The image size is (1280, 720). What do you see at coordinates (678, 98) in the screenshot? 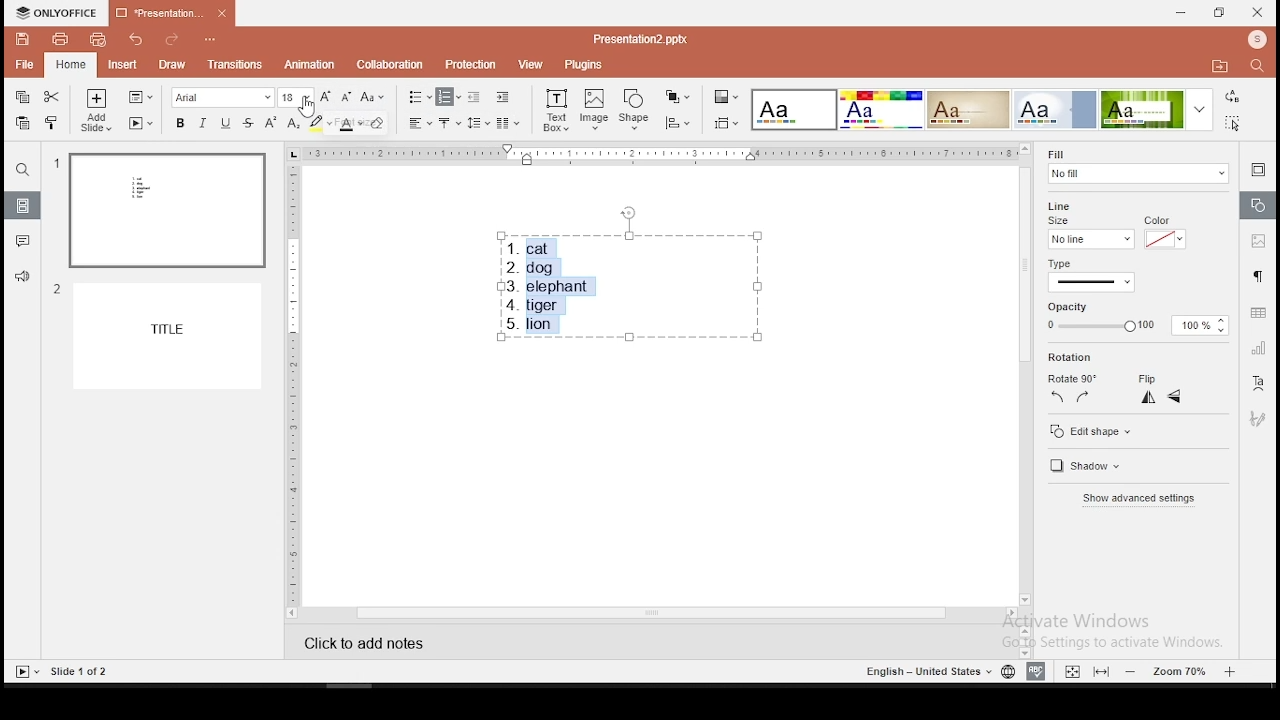
I see `arrange objects` at bounding box center [678, 98].